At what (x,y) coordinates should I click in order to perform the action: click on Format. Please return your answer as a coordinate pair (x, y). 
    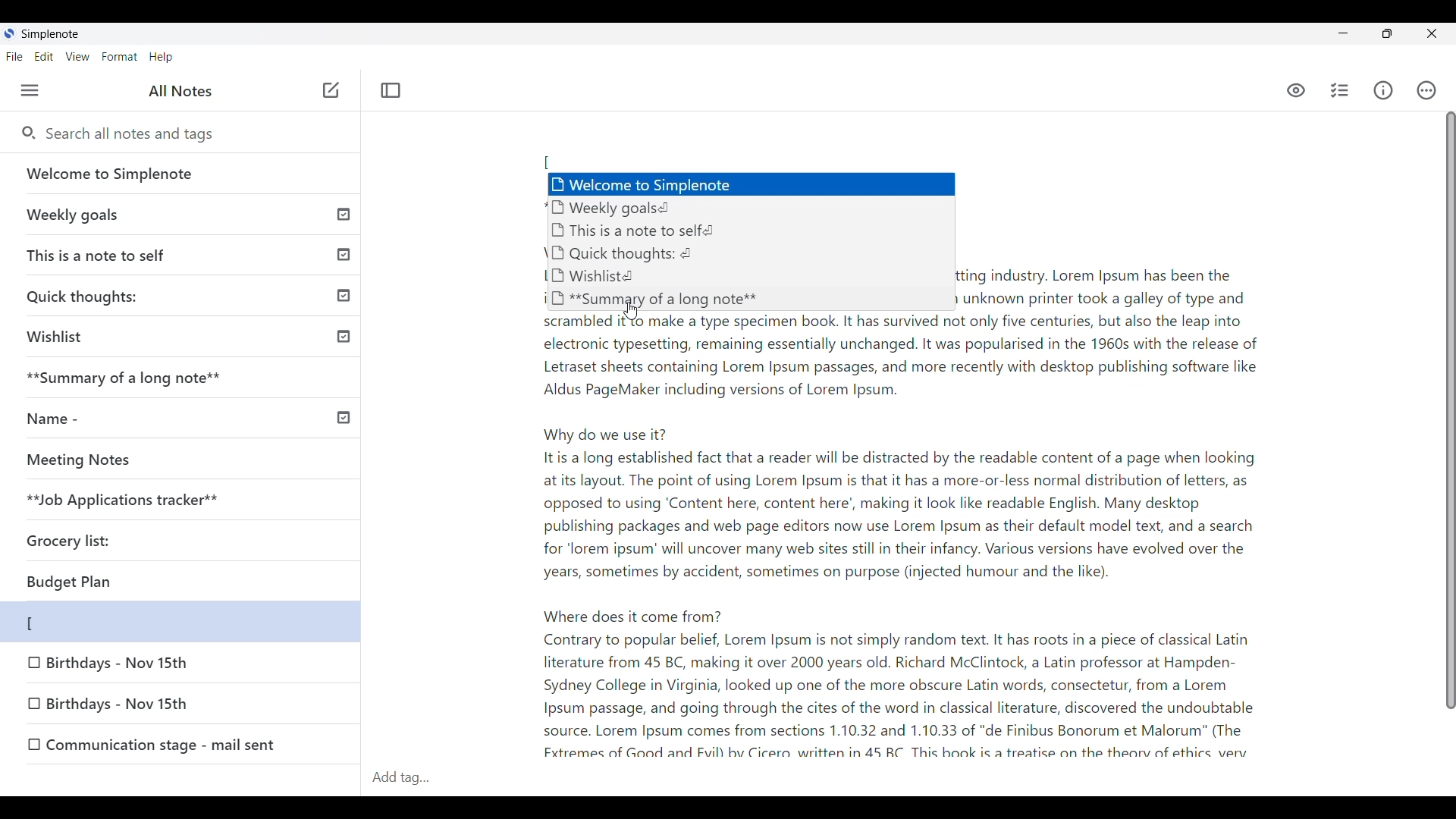
    Looking at the image, I should click on (120, 57).